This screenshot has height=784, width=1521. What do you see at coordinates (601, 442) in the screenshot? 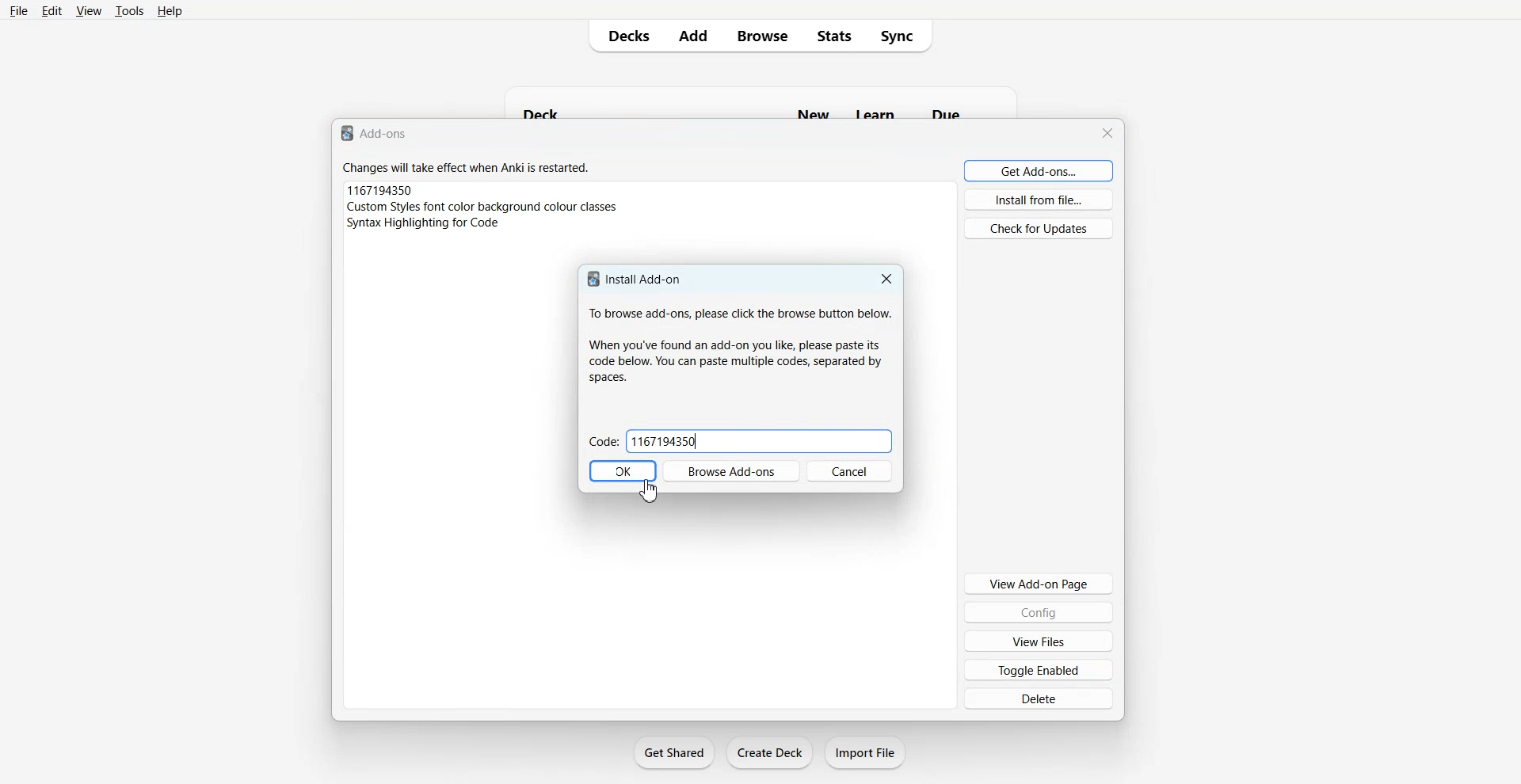
I see `Enter Code` at bounding box center [601, 442].